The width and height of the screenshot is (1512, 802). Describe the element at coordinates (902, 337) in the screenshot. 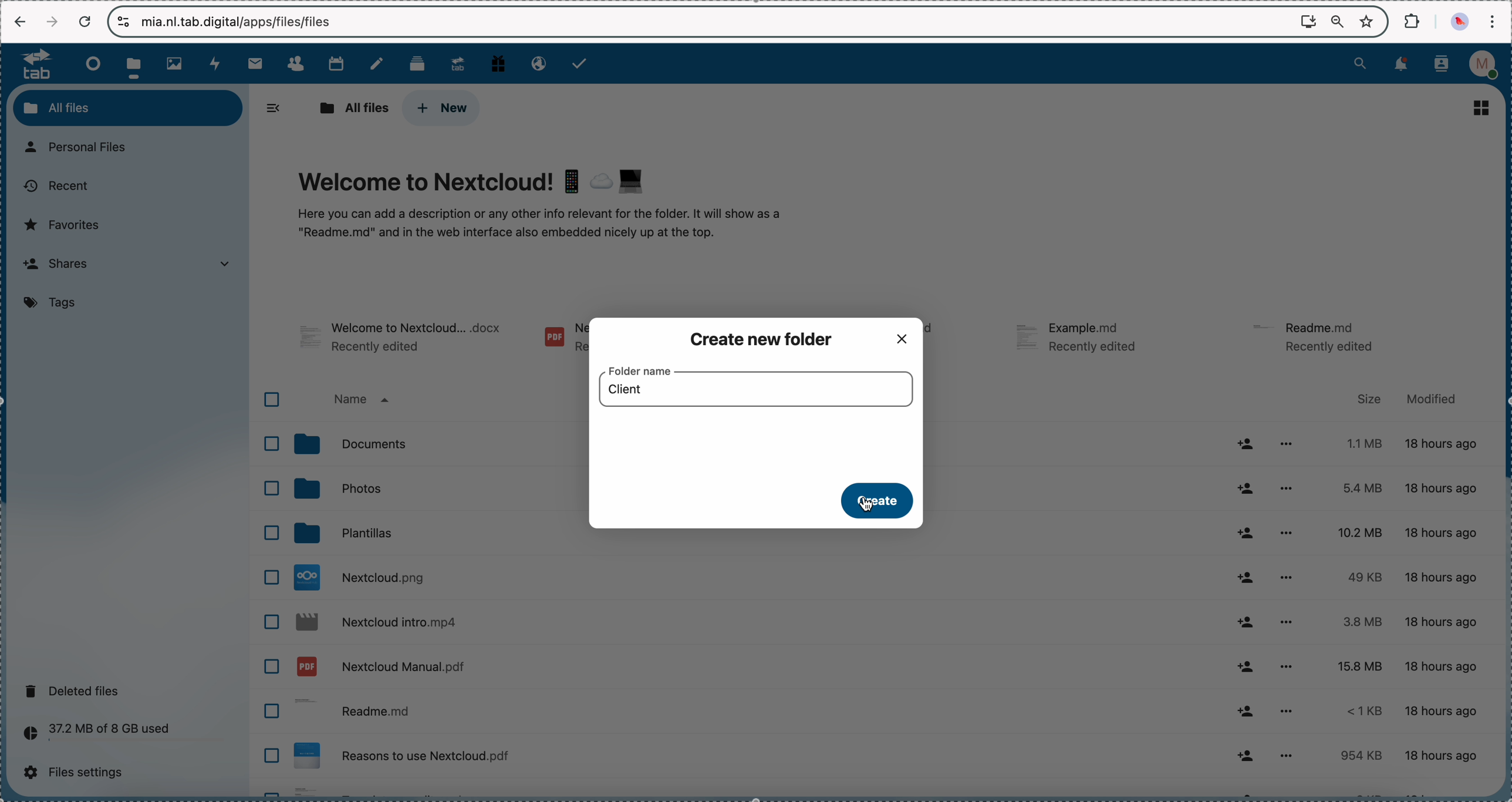

I see `close pop-up` at that location.